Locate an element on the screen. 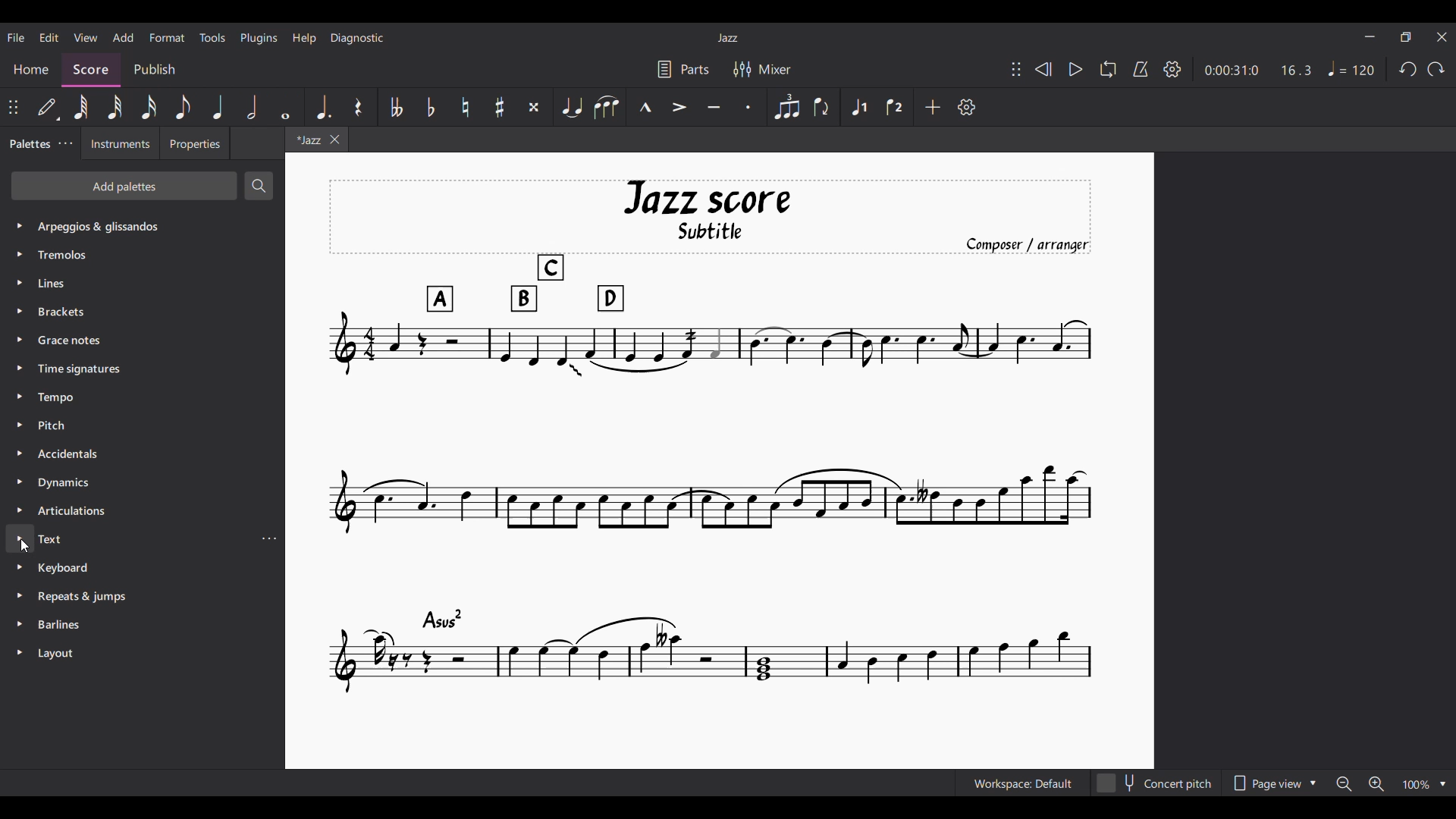 The image size is (1456, 819). Add palette is located at coordinates (124, 186).